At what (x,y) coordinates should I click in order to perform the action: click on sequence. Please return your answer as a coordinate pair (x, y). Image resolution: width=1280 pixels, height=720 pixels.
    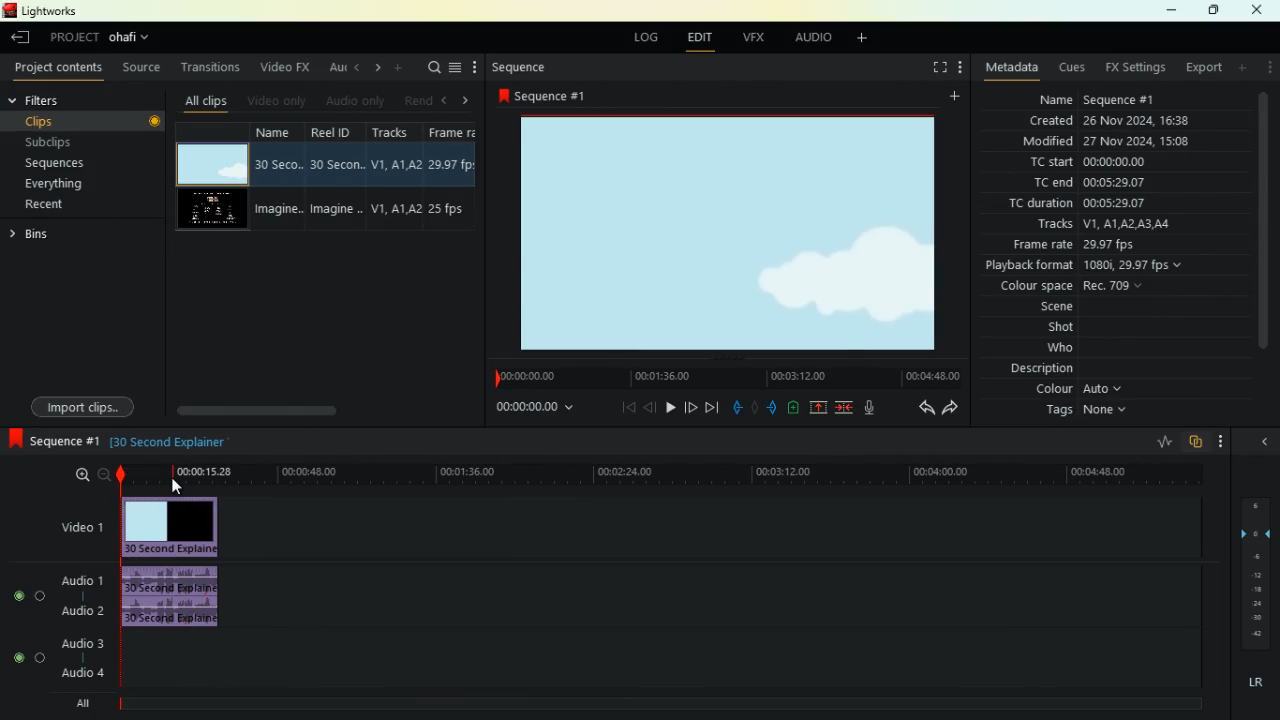
    Looking at the image, I should click on (51, 442).